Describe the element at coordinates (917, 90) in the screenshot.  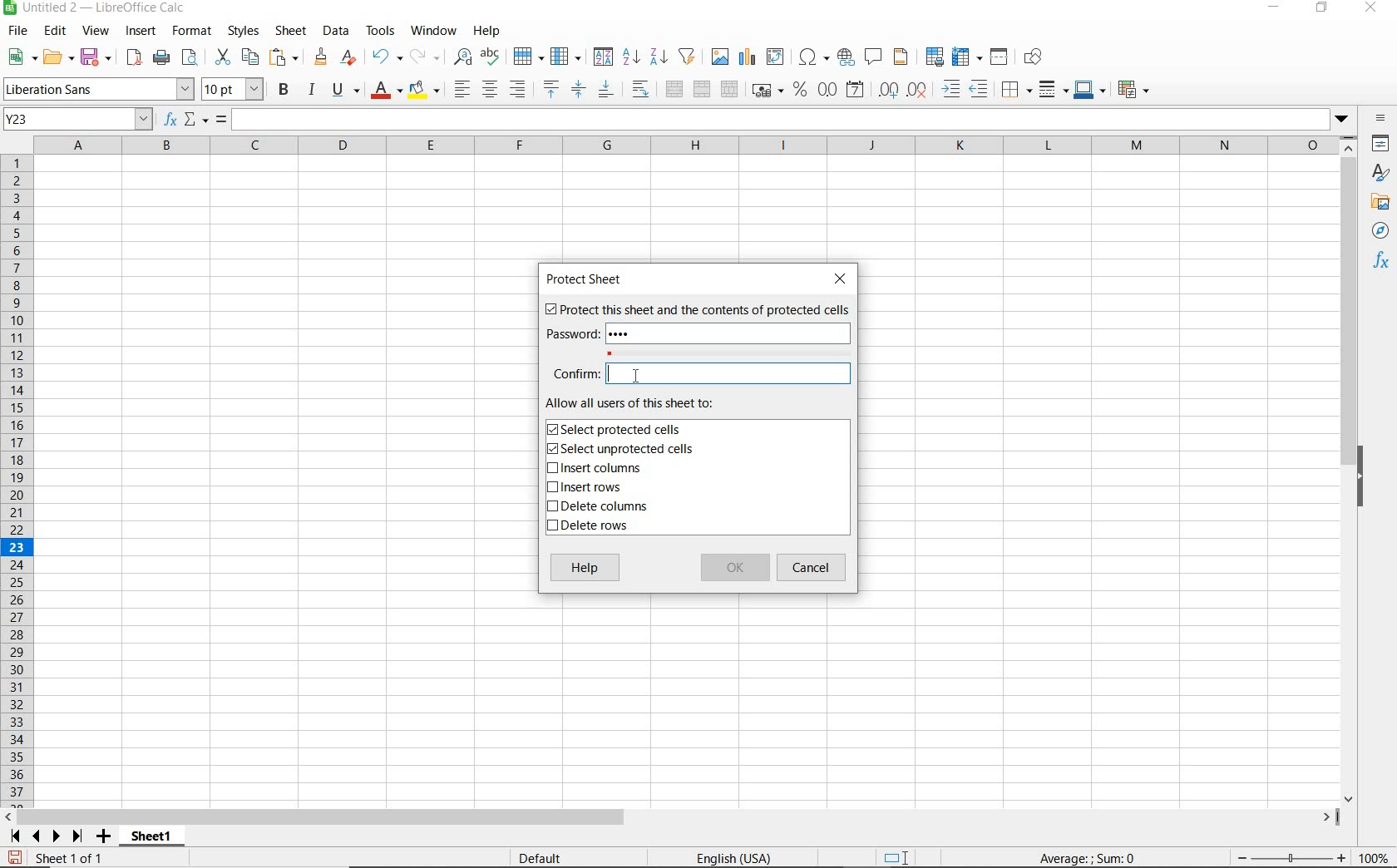
I see `DELETE DECIMAL PLACE` at that location.